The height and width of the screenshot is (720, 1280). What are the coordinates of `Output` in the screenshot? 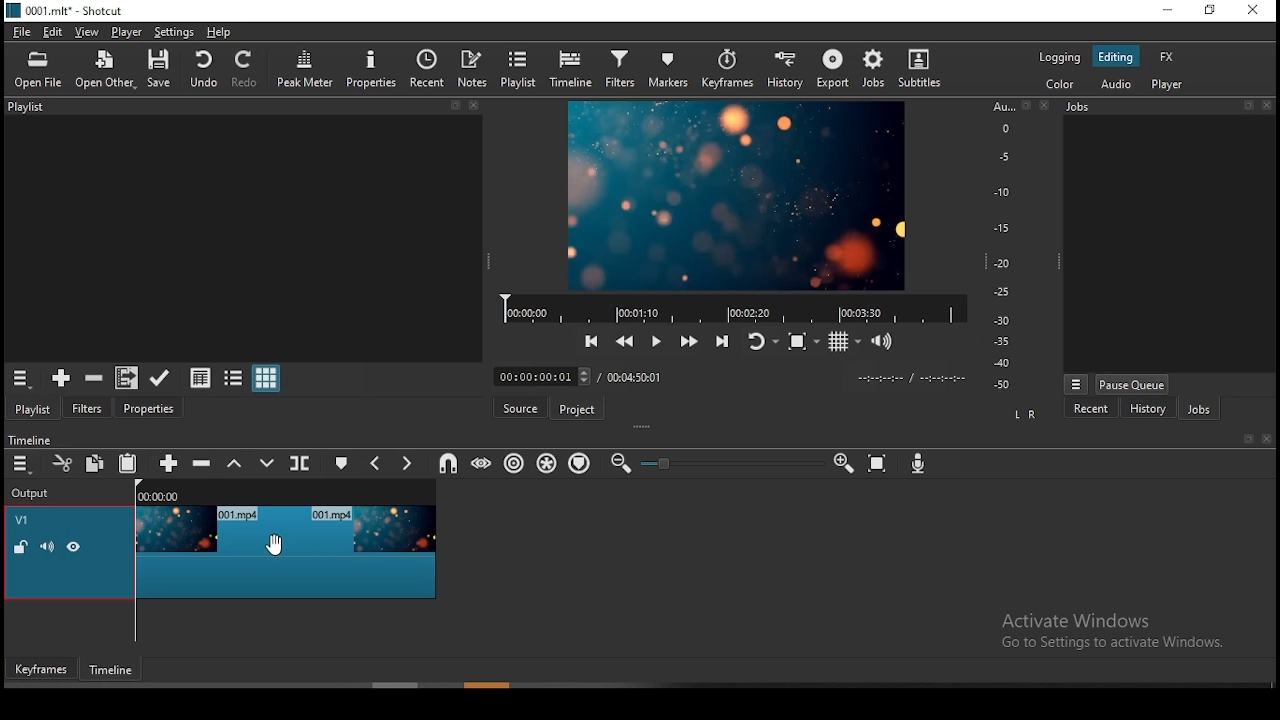 It's located at (34, 493).